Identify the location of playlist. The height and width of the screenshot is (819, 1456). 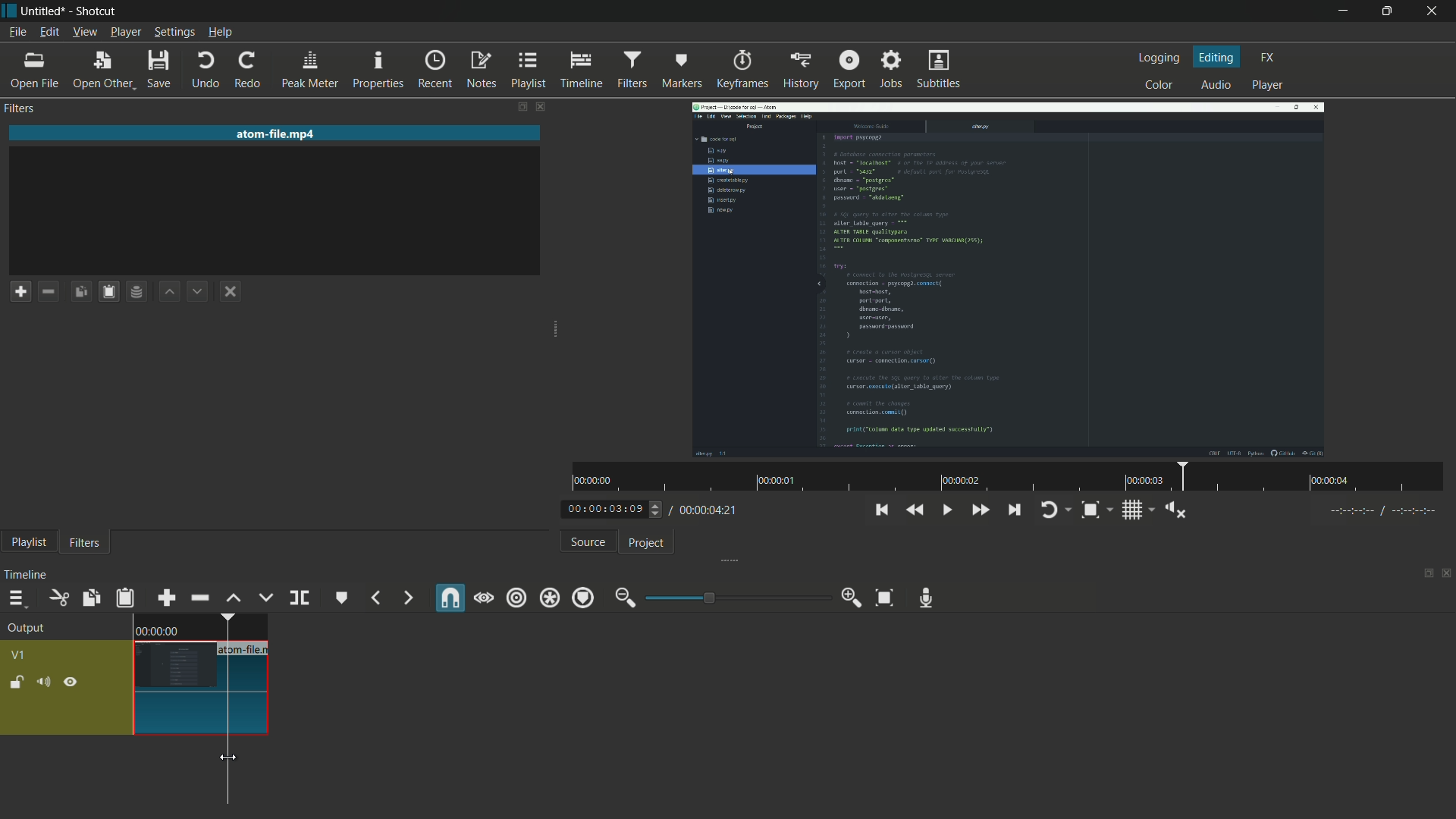
(529, 71).